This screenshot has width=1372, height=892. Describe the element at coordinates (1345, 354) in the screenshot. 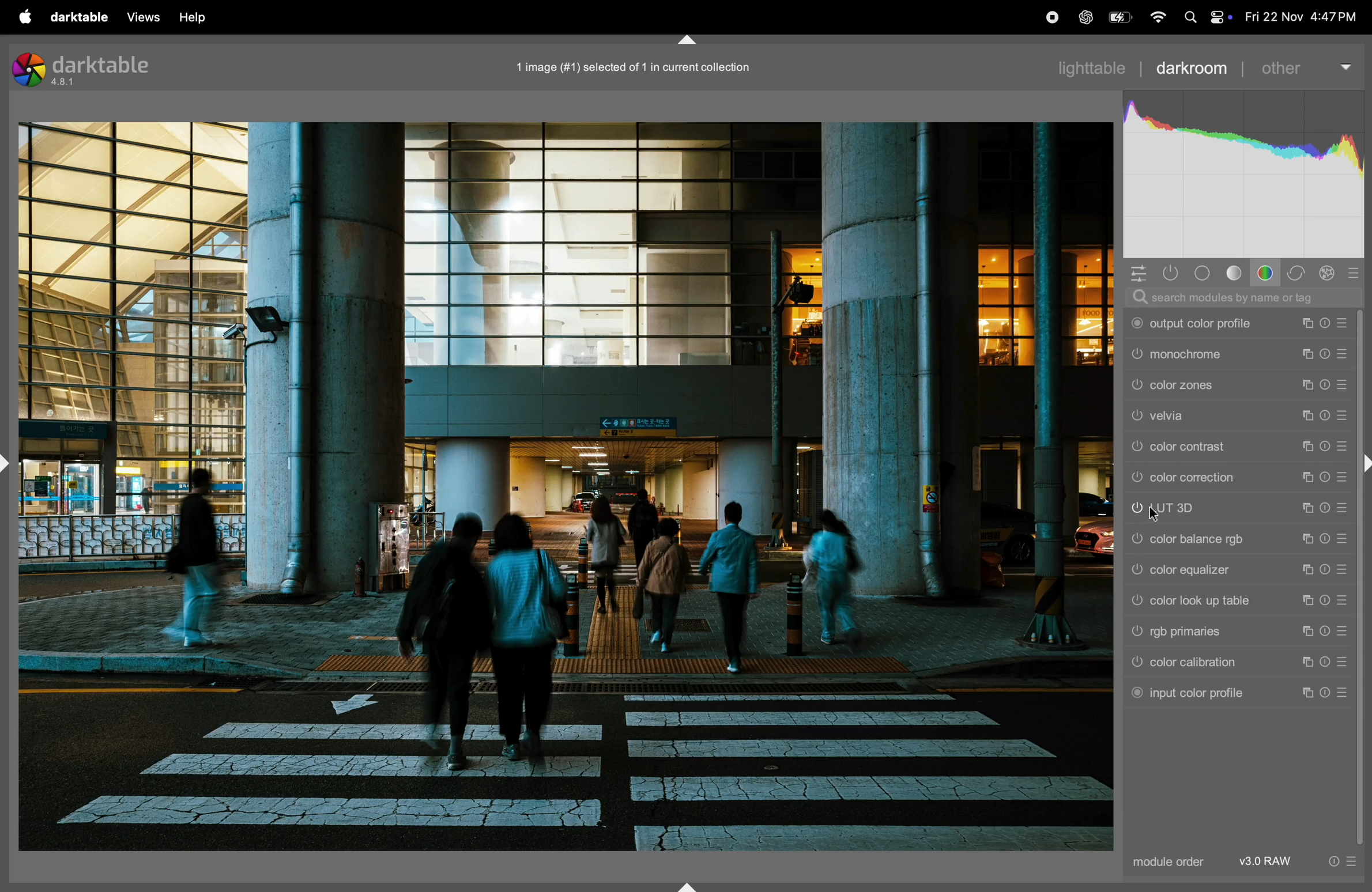

I see `presets` at that location.